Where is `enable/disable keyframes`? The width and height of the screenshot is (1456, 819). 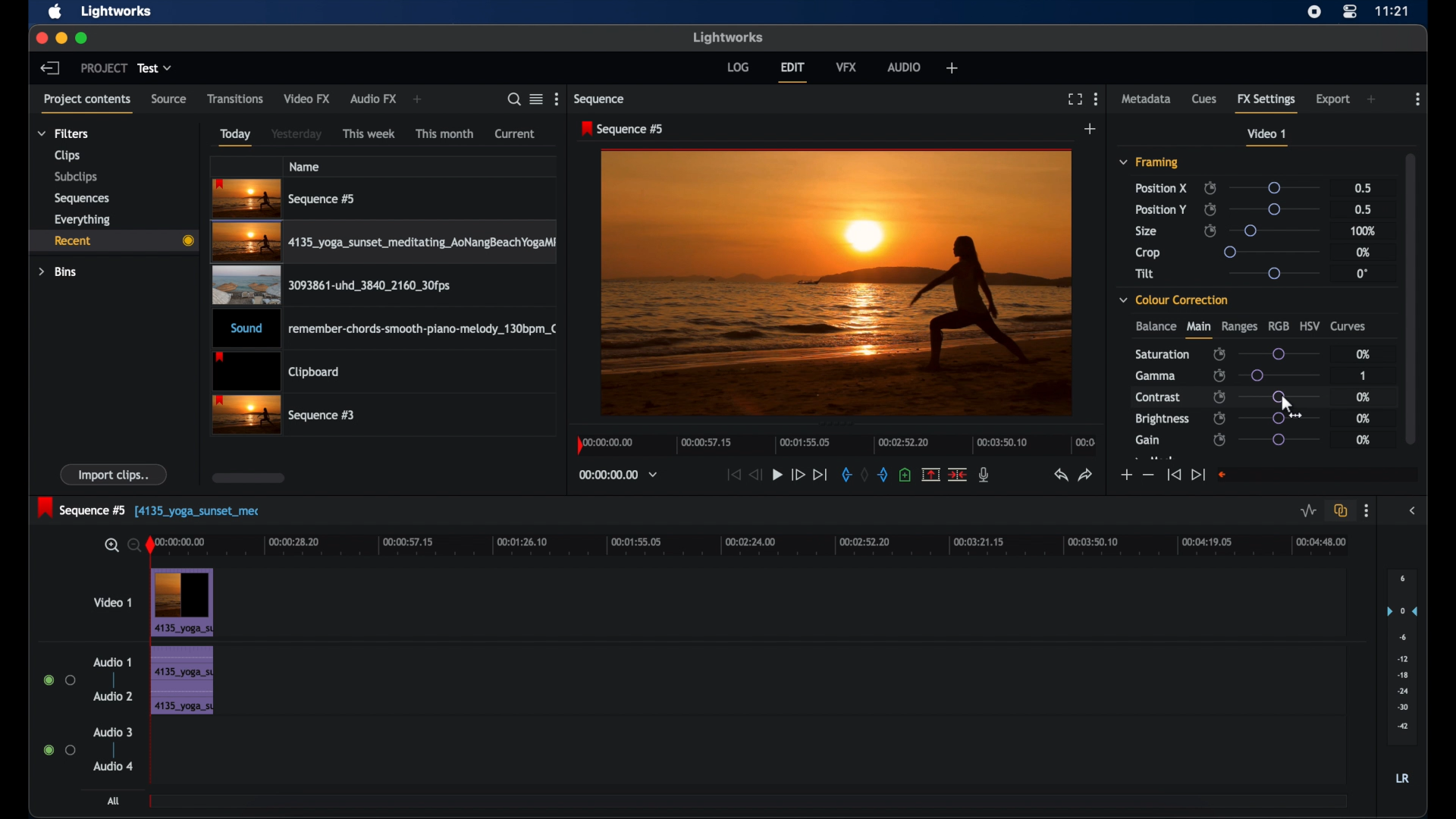
enable/disable keyframes is located at coordinates (1210, 209).